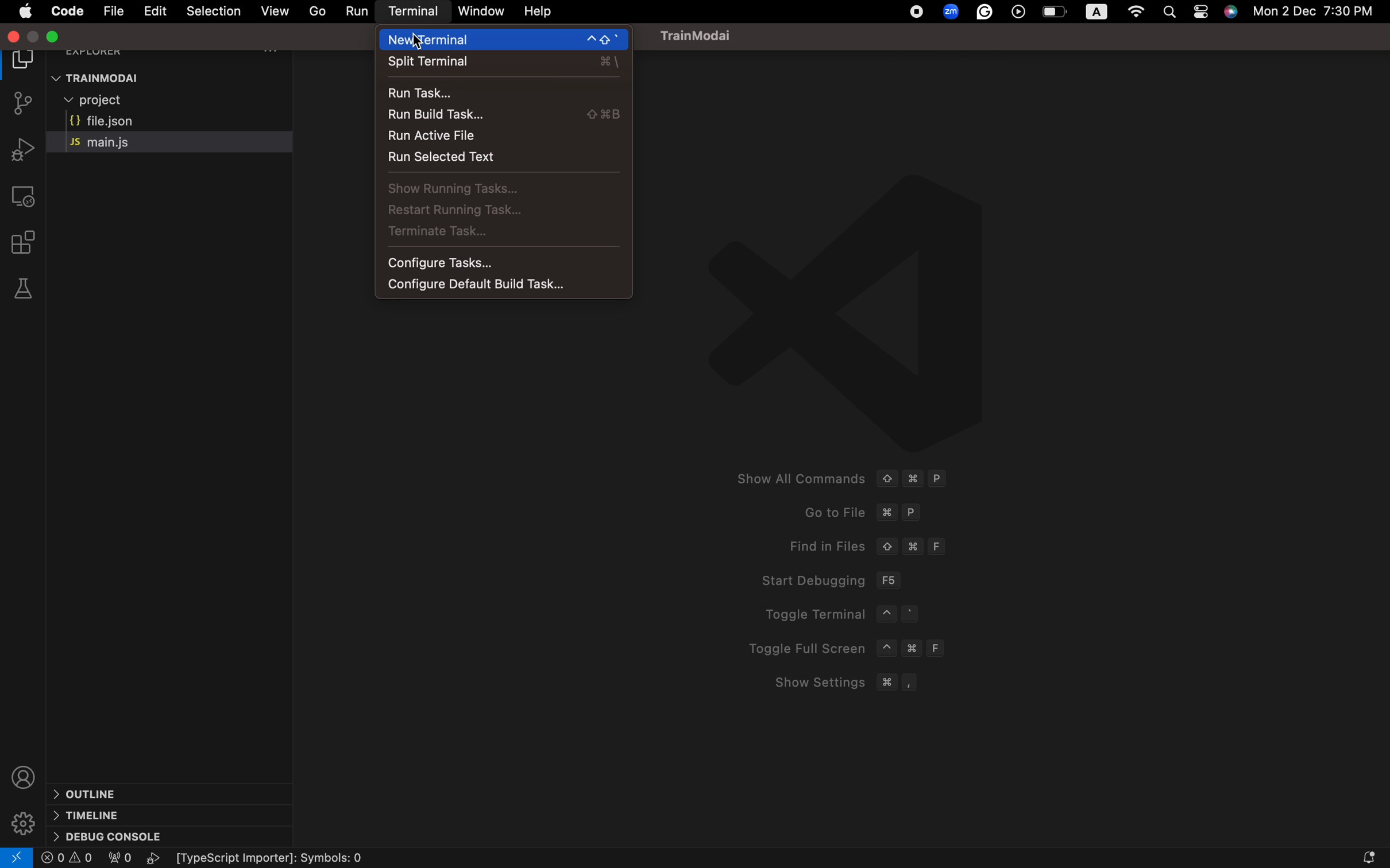  Describe the element at coordinates (91, 793) in the screenshot. I see `` at that location.